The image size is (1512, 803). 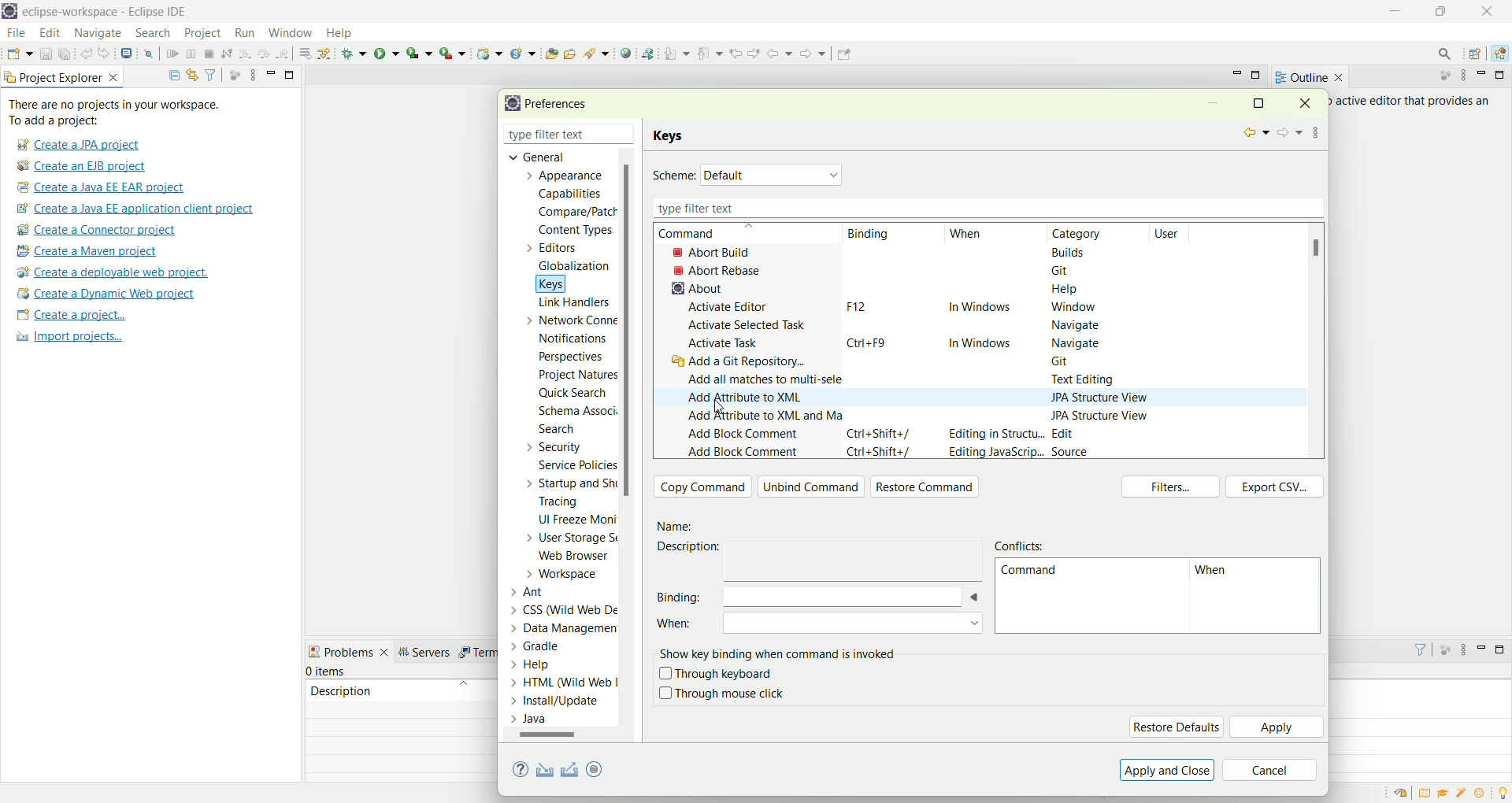 I want to click on when, so click(x=966, y=235).